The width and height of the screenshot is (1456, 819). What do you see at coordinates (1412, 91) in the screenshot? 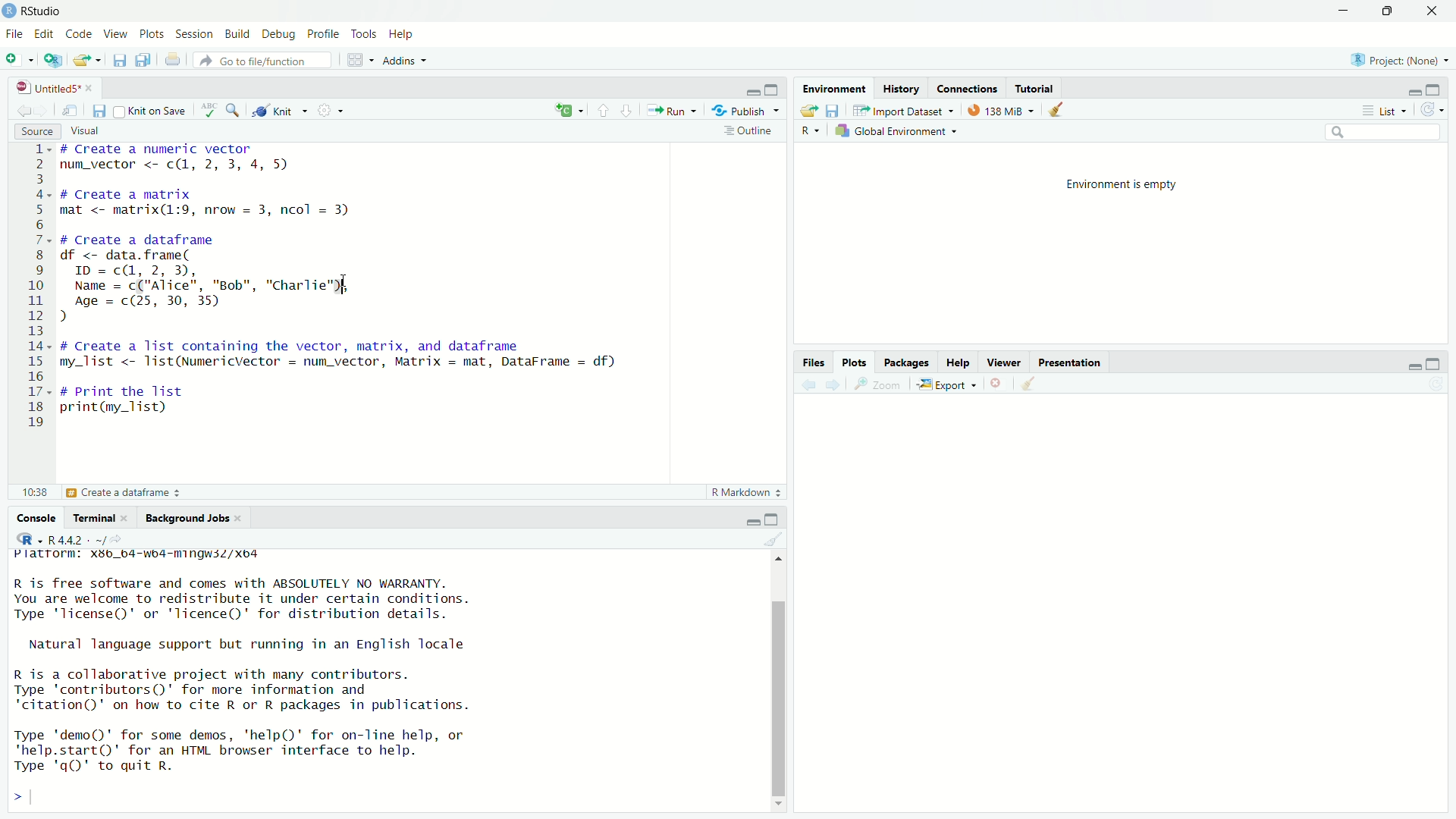
I see `minimise` at bounding box center [1412, 91].